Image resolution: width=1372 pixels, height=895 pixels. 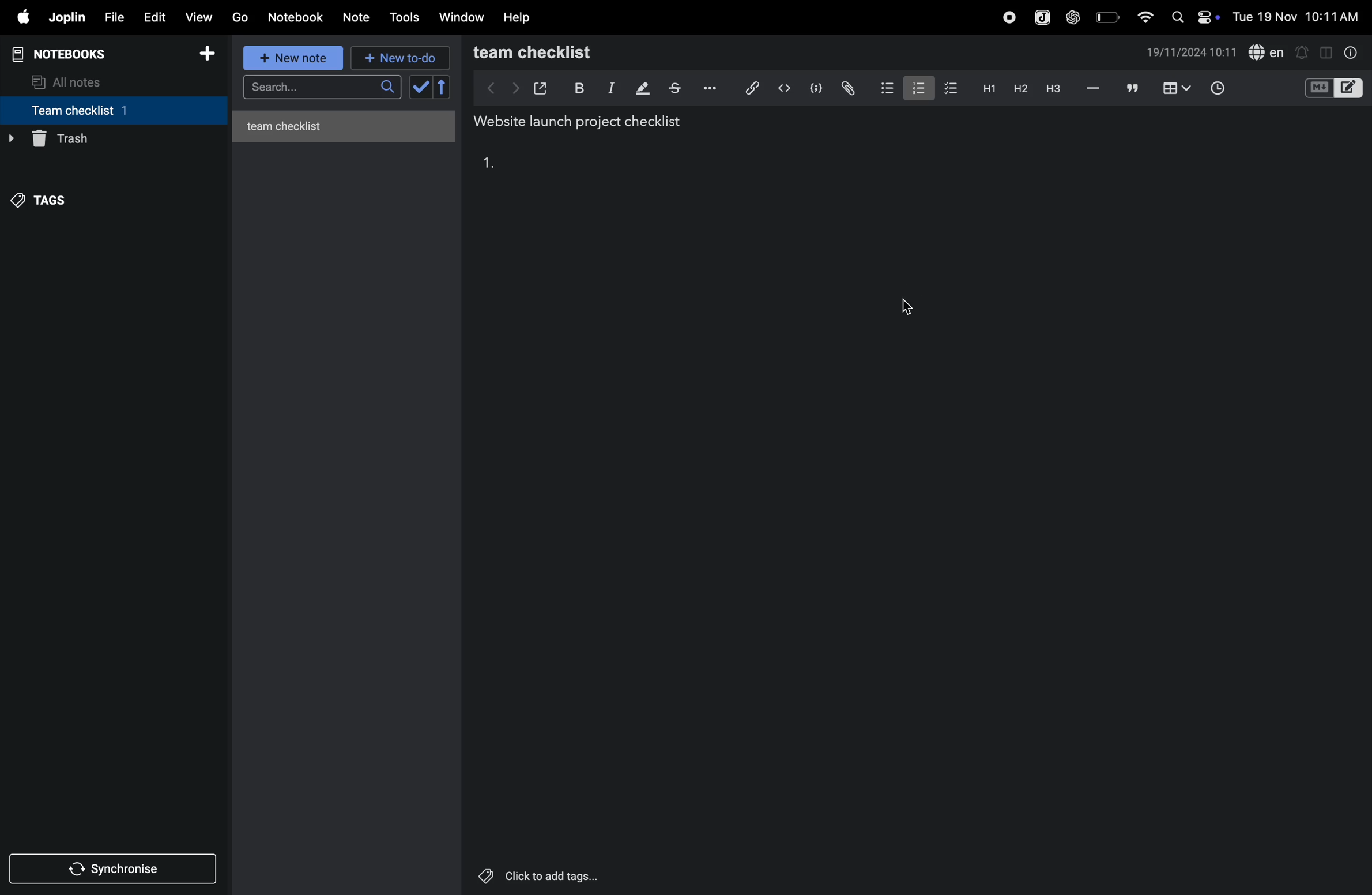 What do you see at coordinates (22, 18) in the screenshot?
I see `apple menu` at bounding box center [22, 18].